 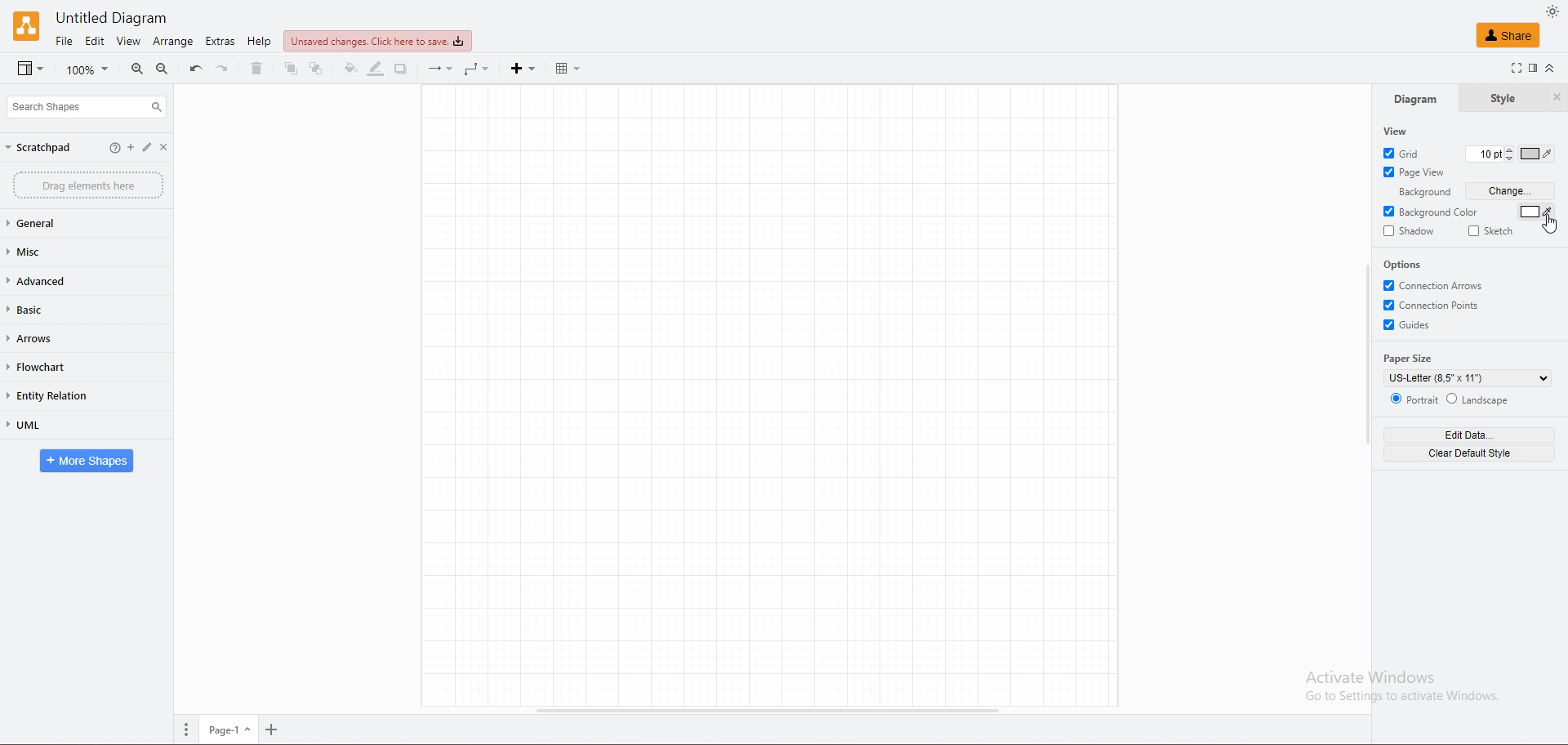 I want to click on scratchpad, so click(x=39, y=147).